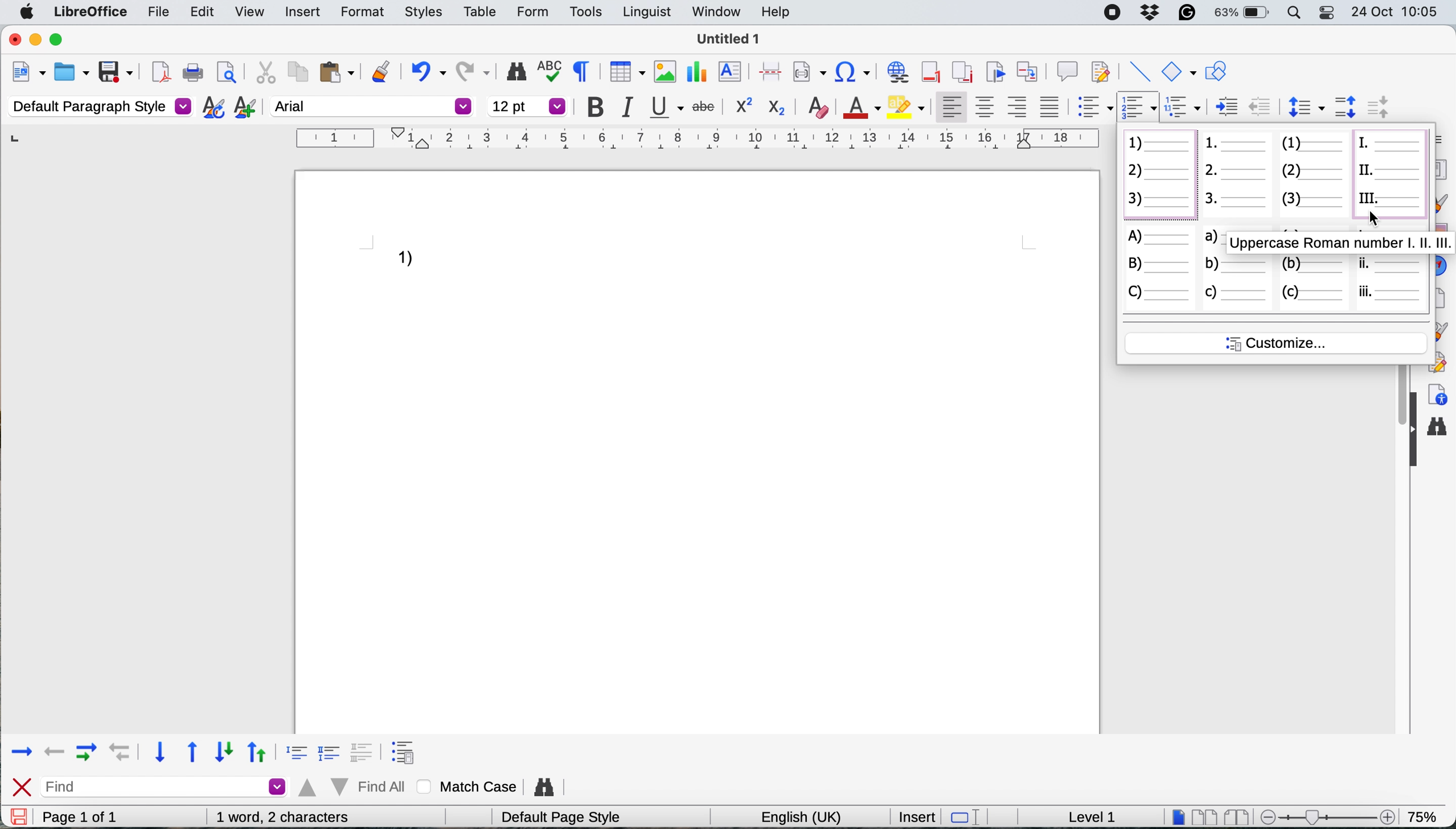 This screenshot has height=829, width=1456. What do you see at coordinates (1235, 177) in the screenshot?
I see `numbered list` at bounding box center [1235, 177].